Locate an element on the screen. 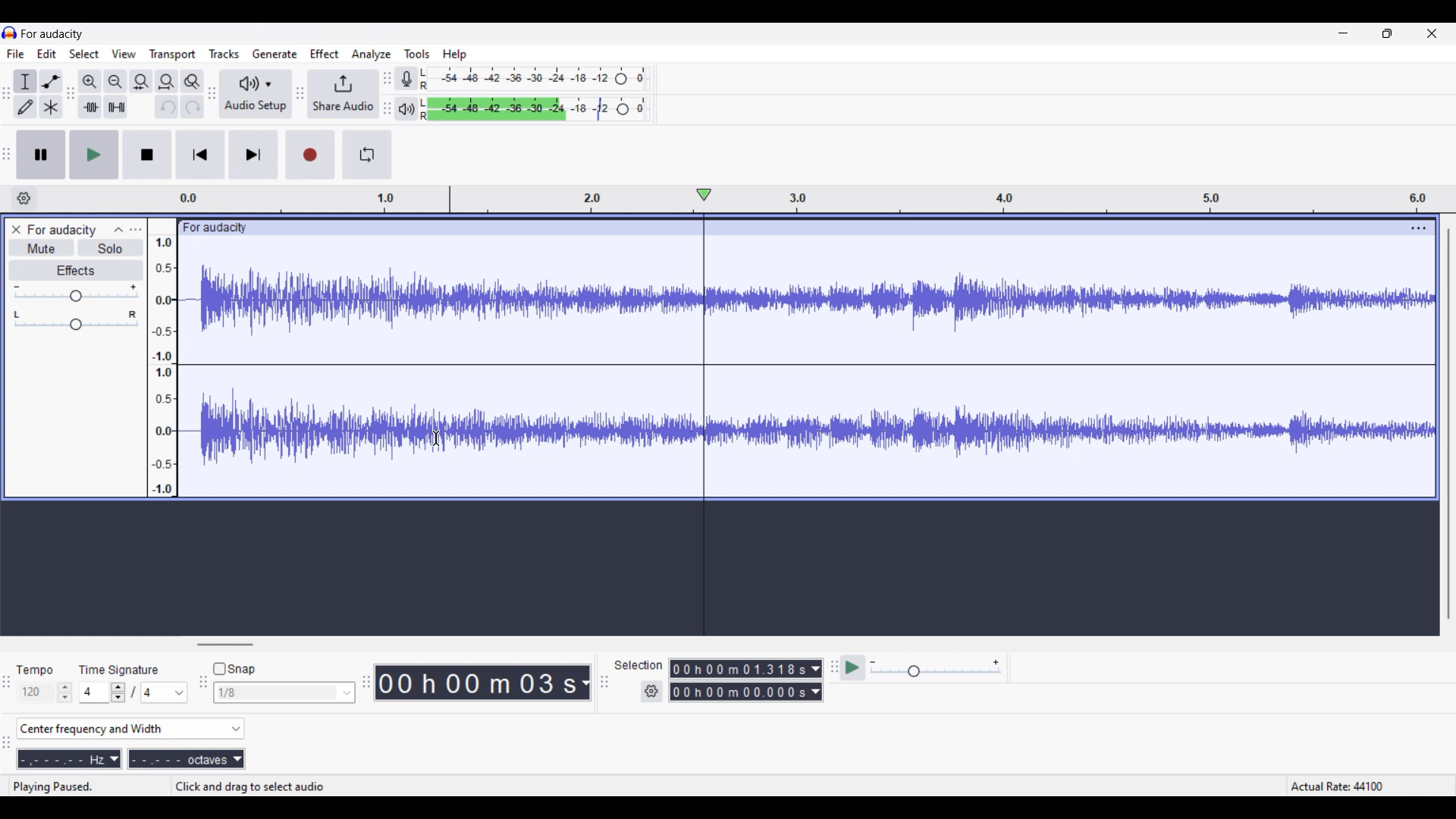 The width and height of the screenshot is (1456, 819). Cursor position unchanged is located at coordinates (441, 435).